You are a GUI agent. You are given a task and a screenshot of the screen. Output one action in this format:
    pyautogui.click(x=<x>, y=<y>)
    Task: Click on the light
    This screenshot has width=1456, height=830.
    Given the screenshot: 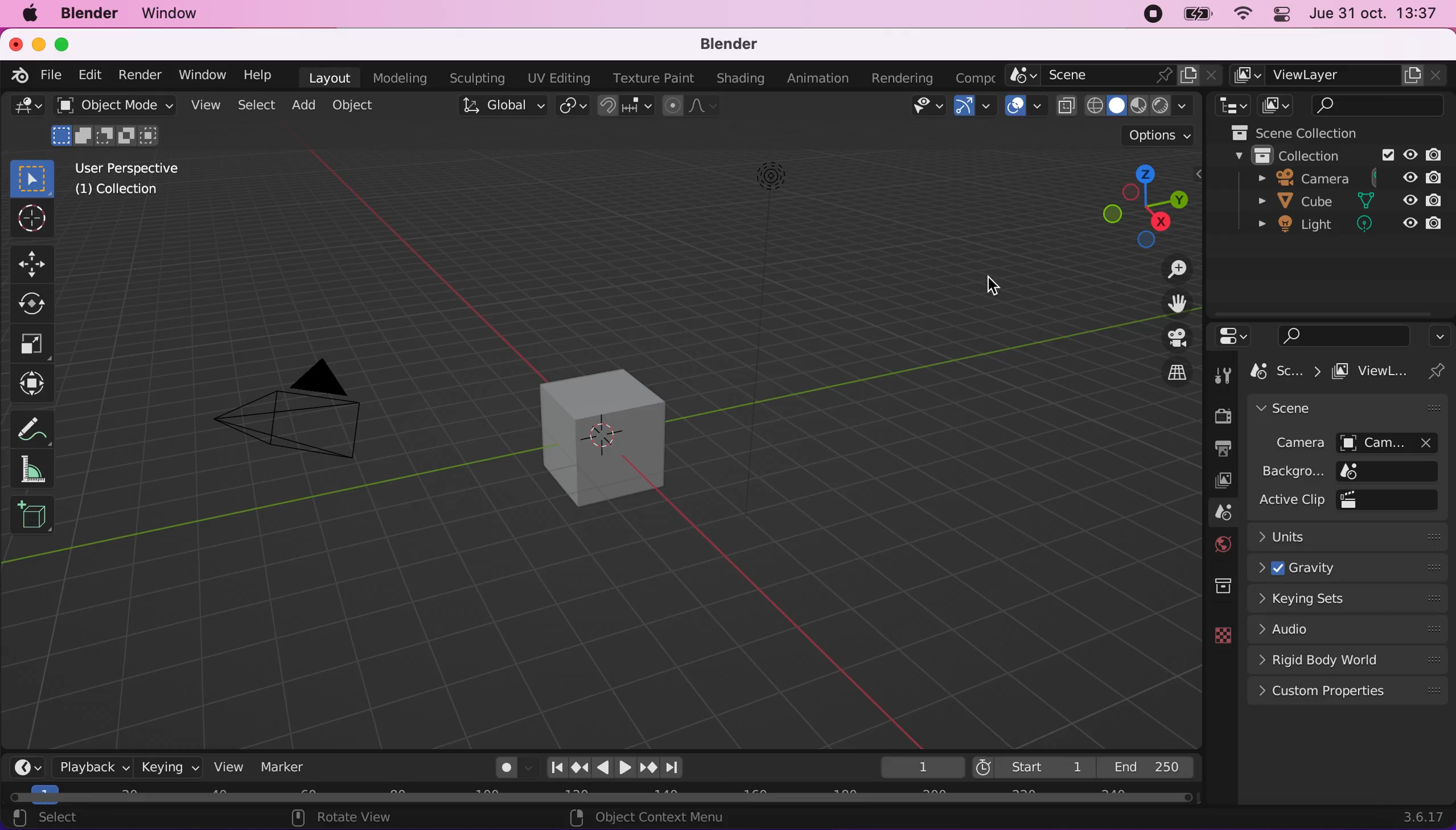 What is the action you would take?
    pyautogui.click(x=1345, y=224)
    